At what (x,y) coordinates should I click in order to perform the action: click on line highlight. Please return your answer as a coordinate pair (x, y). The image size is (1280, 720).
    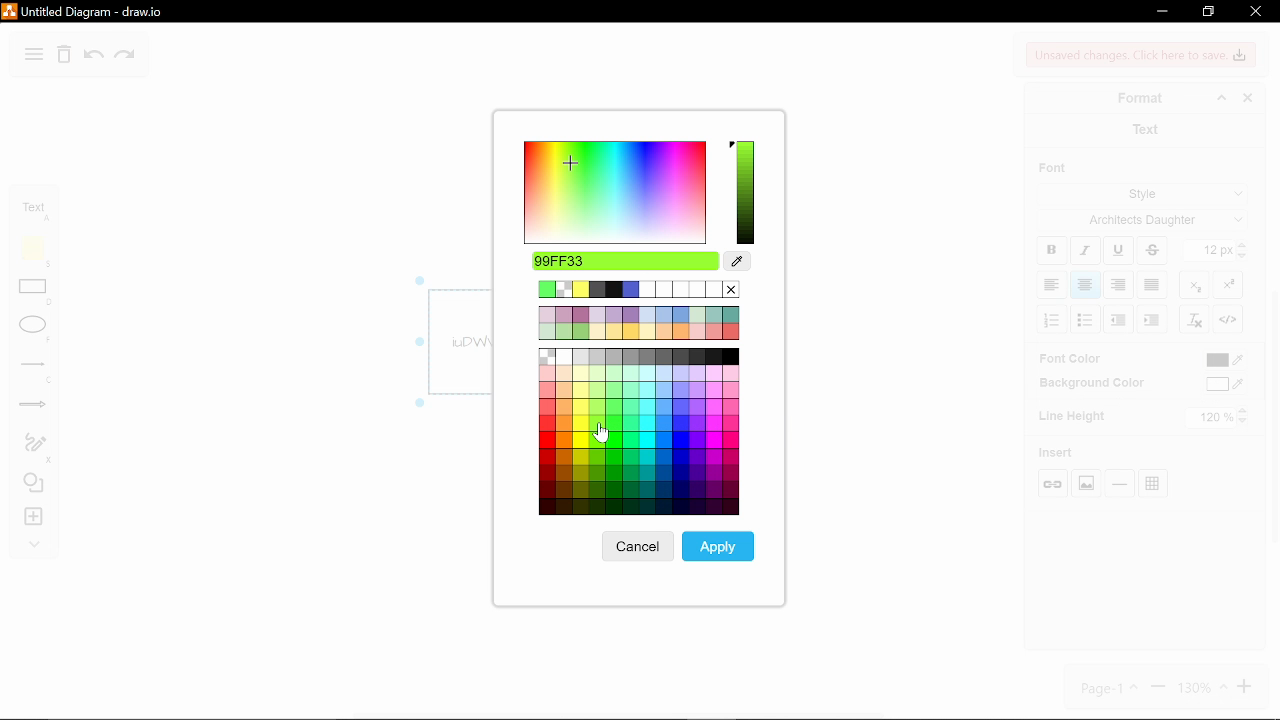
    Looking at the image, I should click on (1074, 416).